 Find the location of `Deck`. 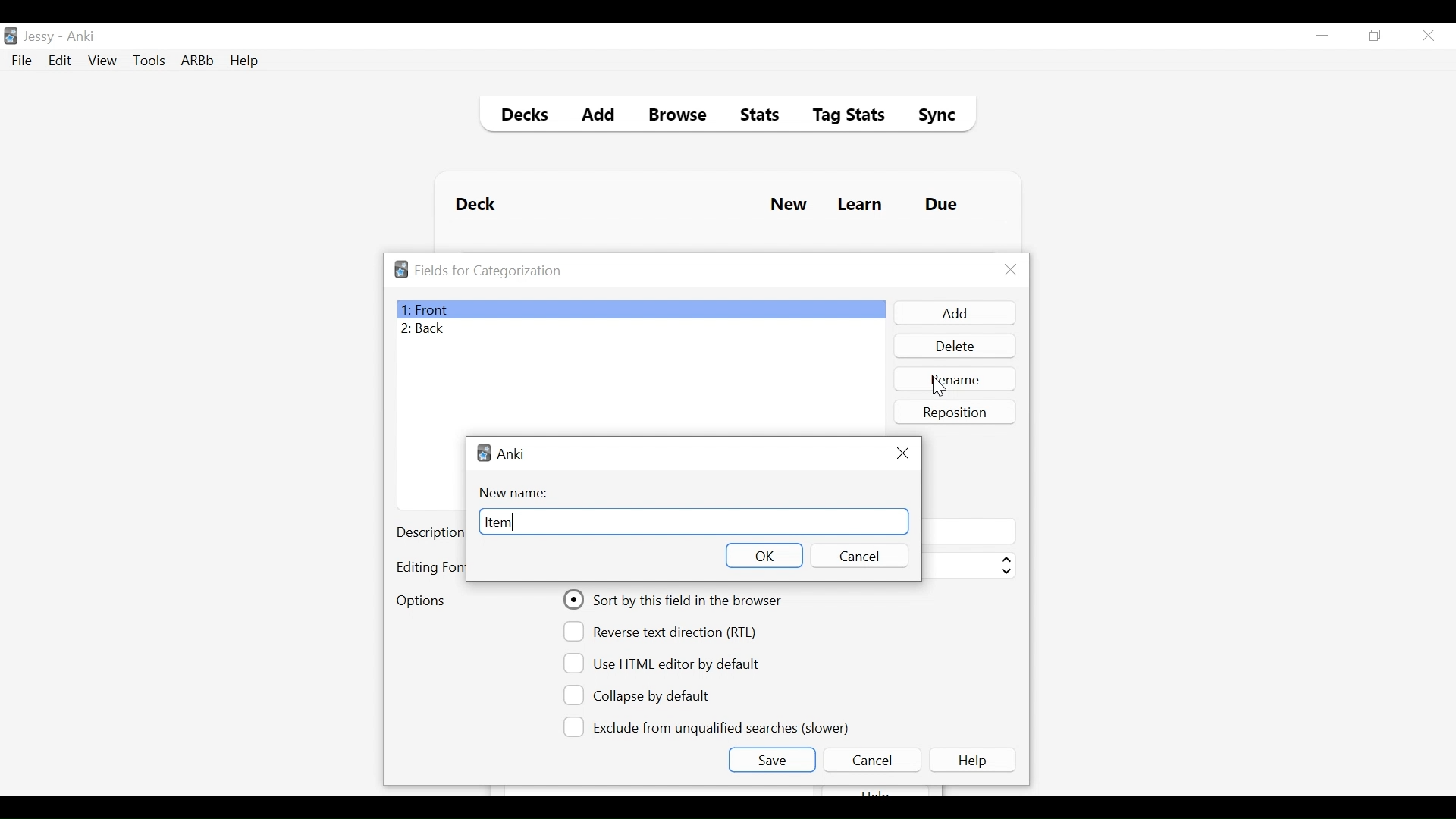

Deck is located at coordinates (479, 205).